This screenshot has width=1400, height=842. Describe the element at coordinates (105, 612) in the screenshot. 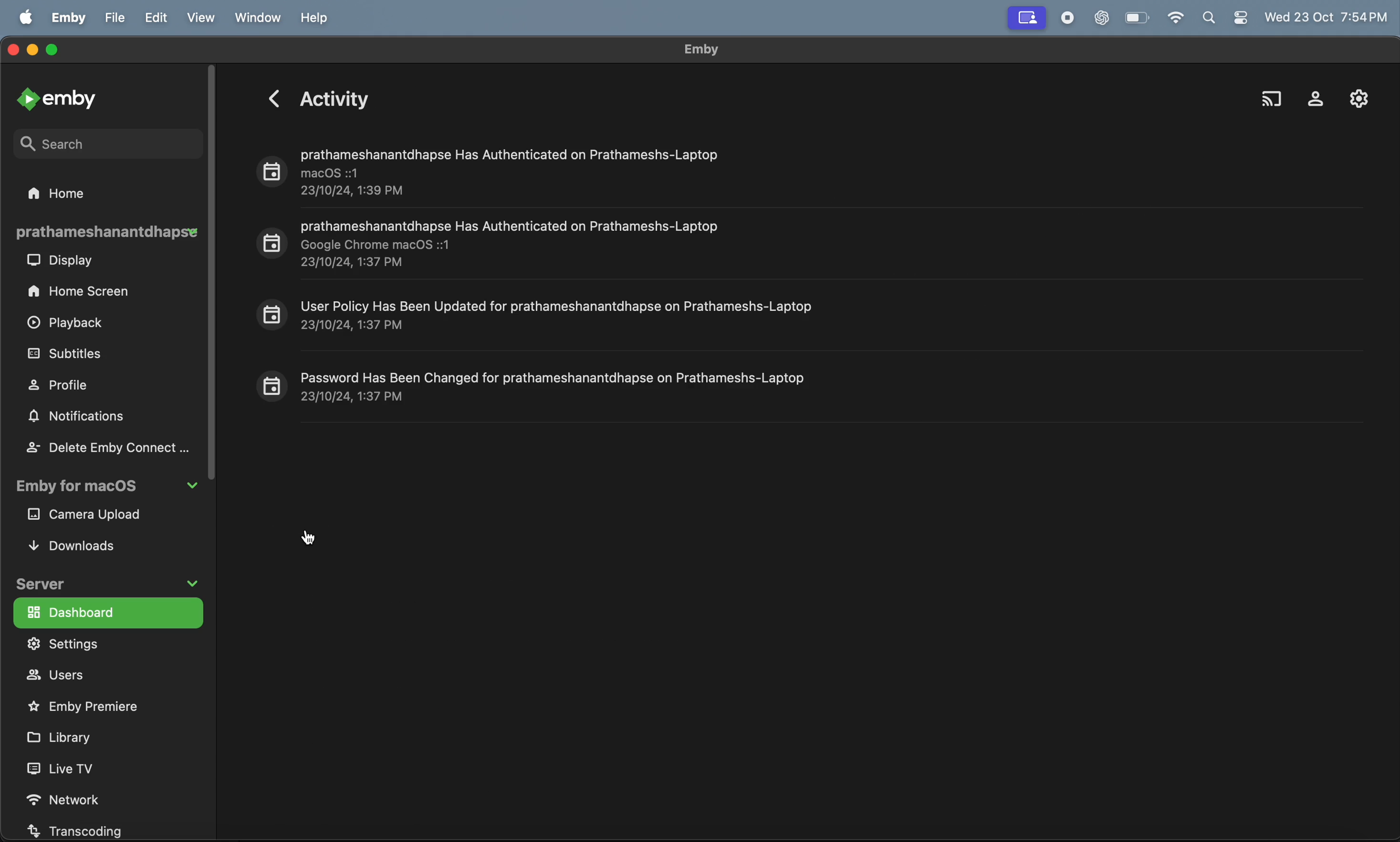

I see `dashboards` at that location.